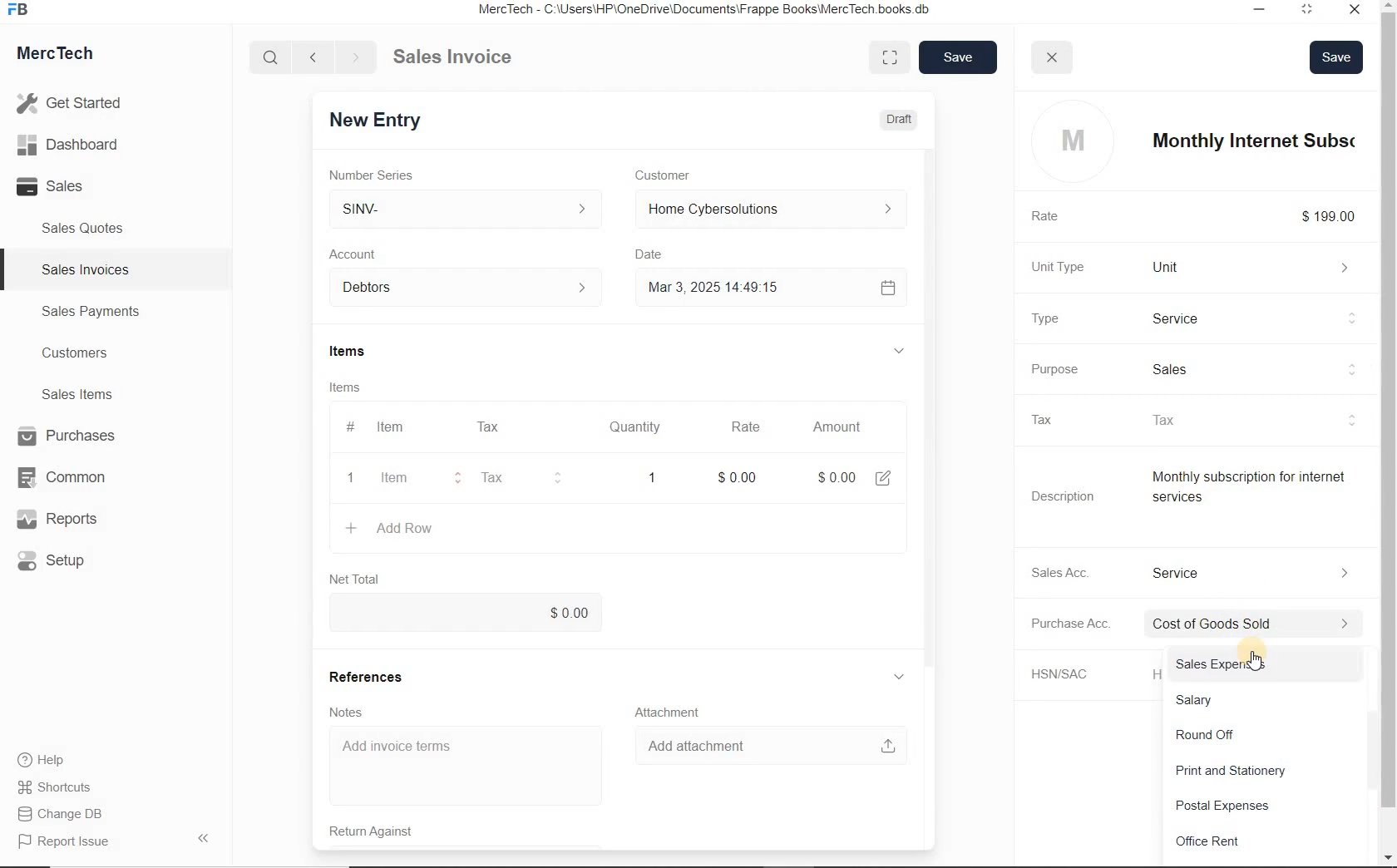 This screenshot has height=868, width=1397. I want to click on MercTech - C:\Users\HP\OneDrive\Documents\Frappe Books\MercTech books db, so click(715, 10).